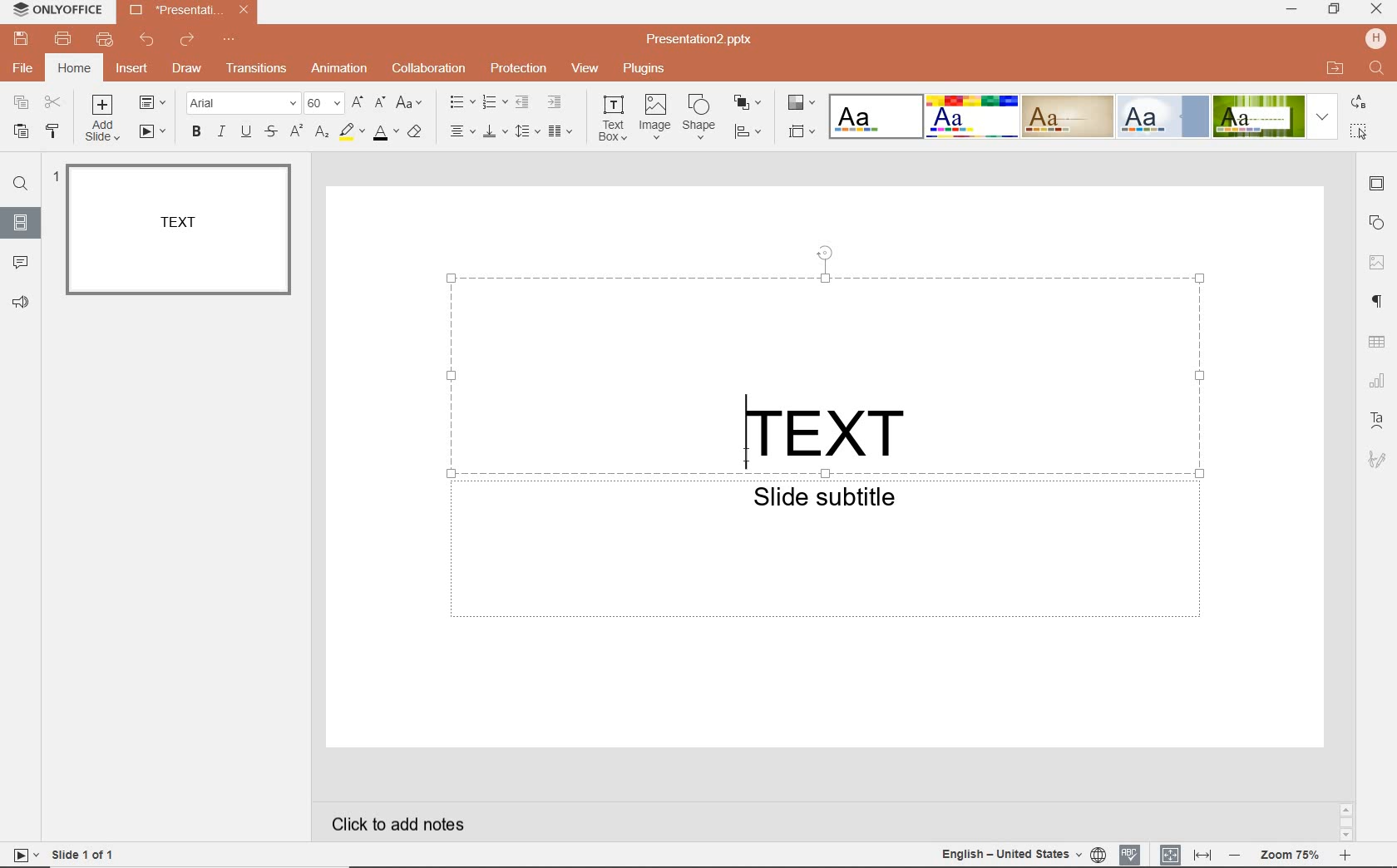 The image size is (1397, 868). I want to click on replace, so click(1360, 104).